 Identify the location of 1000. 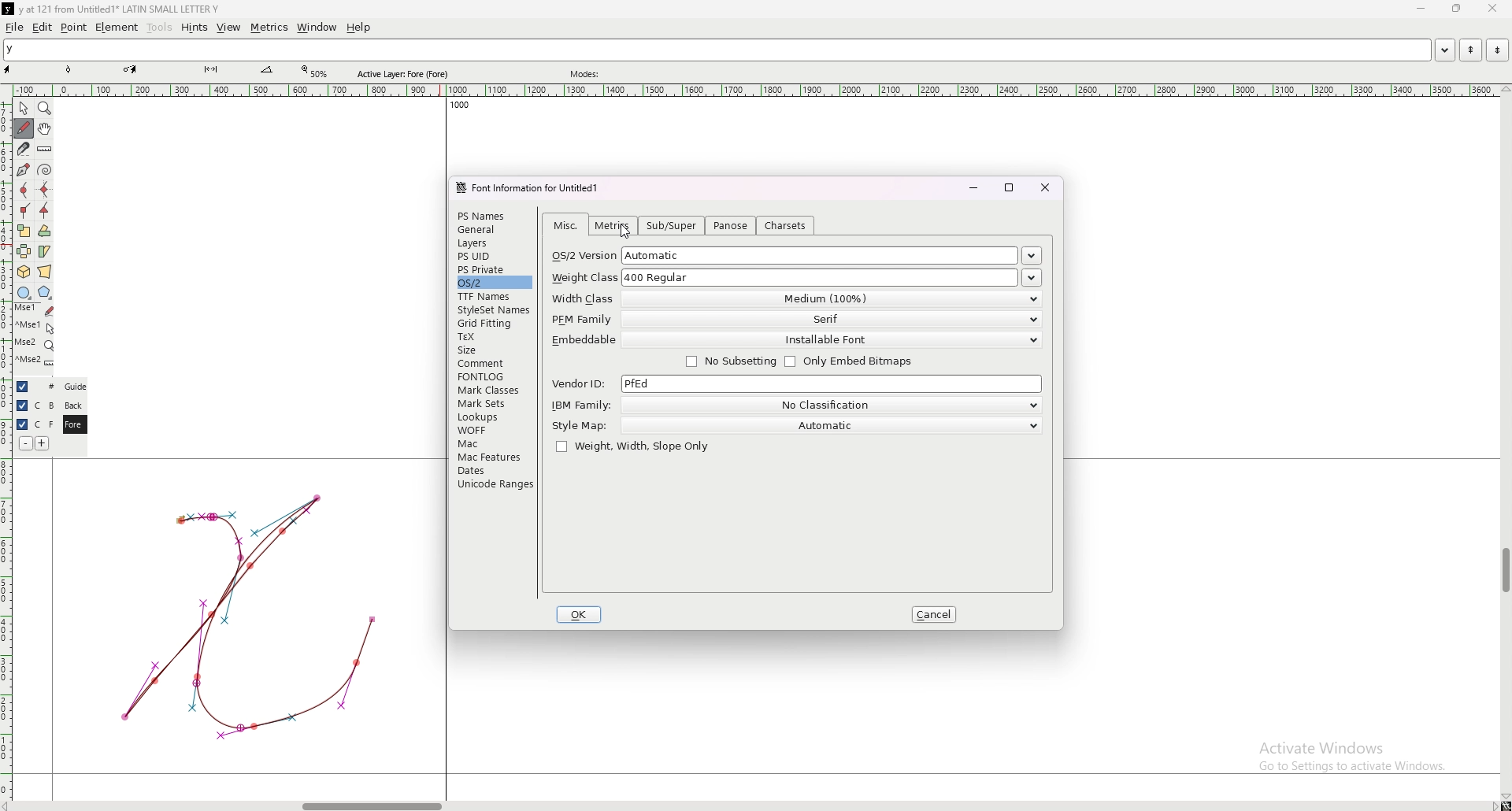
(456, 107).